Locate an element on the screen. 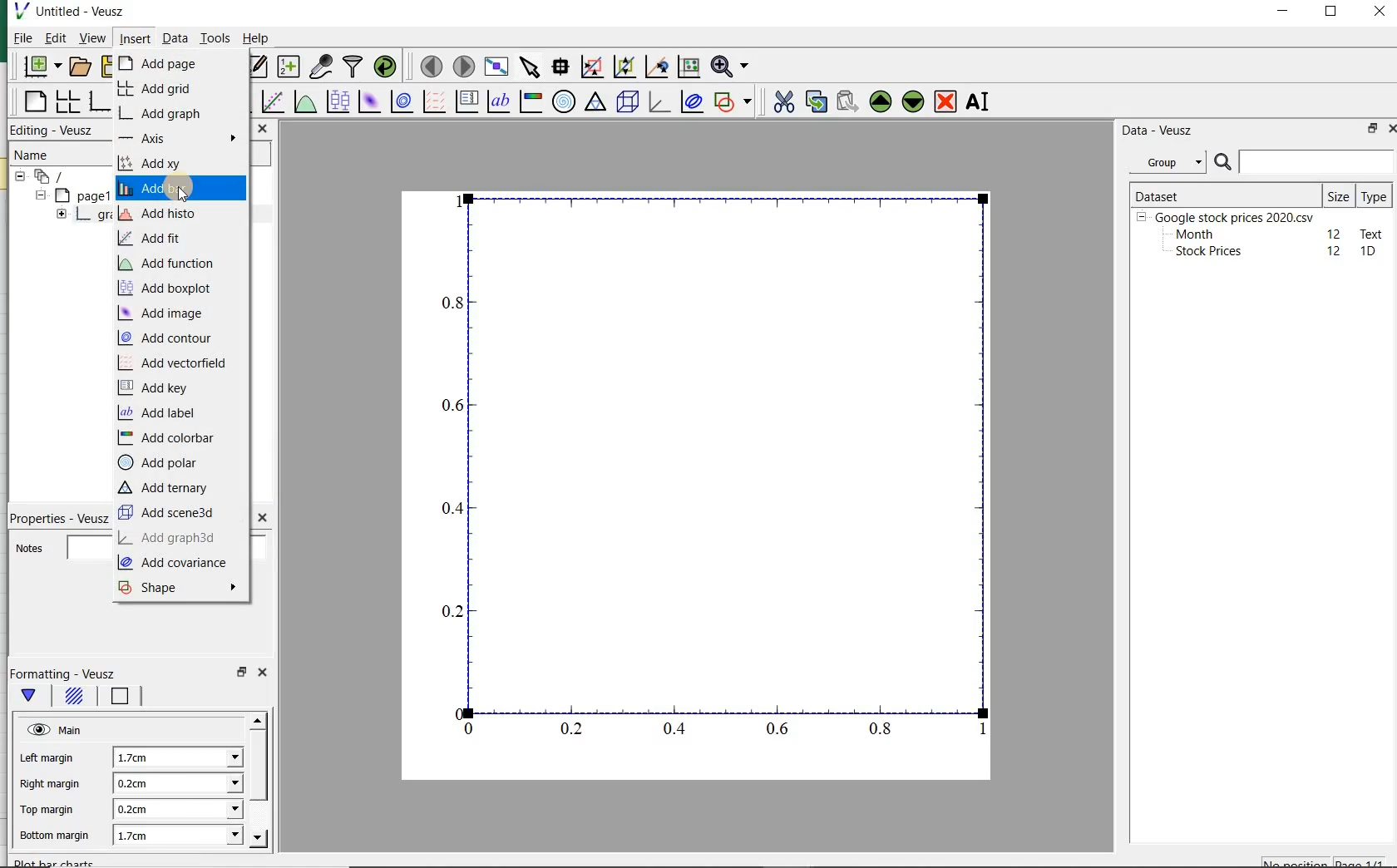  arrange graphs in a grid is located at coordinates (66, 102).